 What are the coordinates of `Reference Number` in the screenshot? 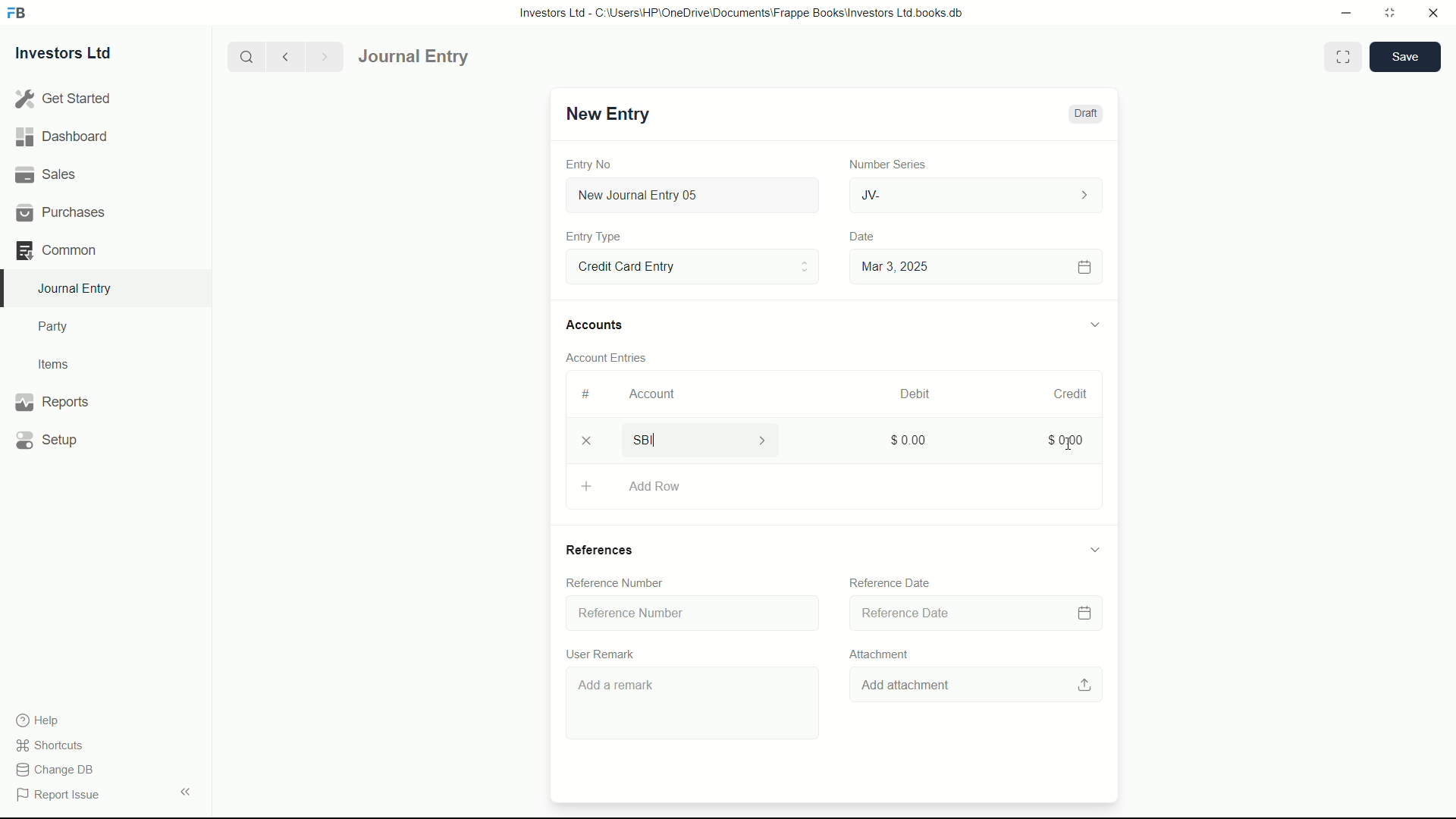 It's located at (689, 613).